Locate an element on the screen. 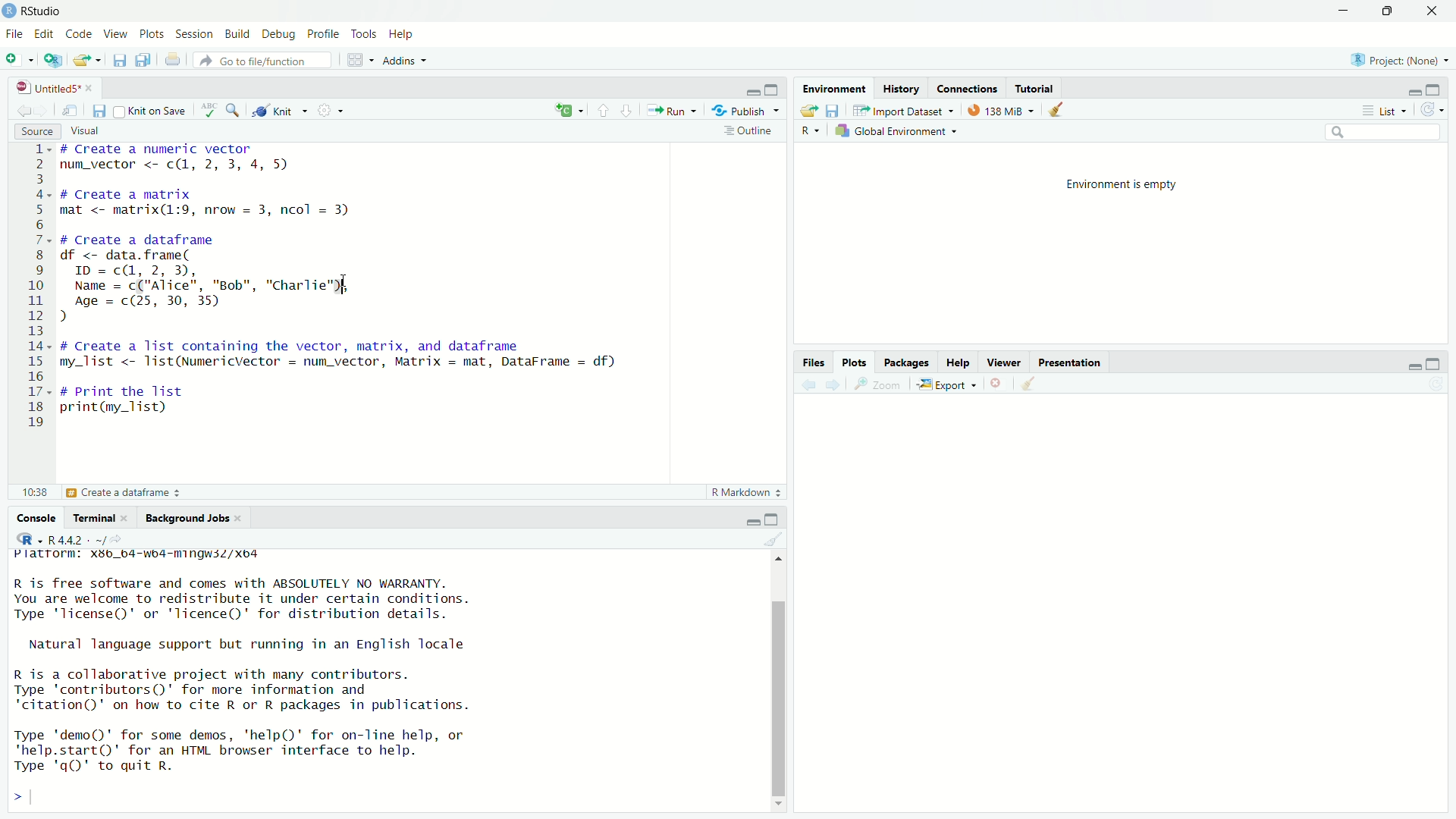 This screenshot has width=1456, height=819. downward is located at coordinates (632, 110).